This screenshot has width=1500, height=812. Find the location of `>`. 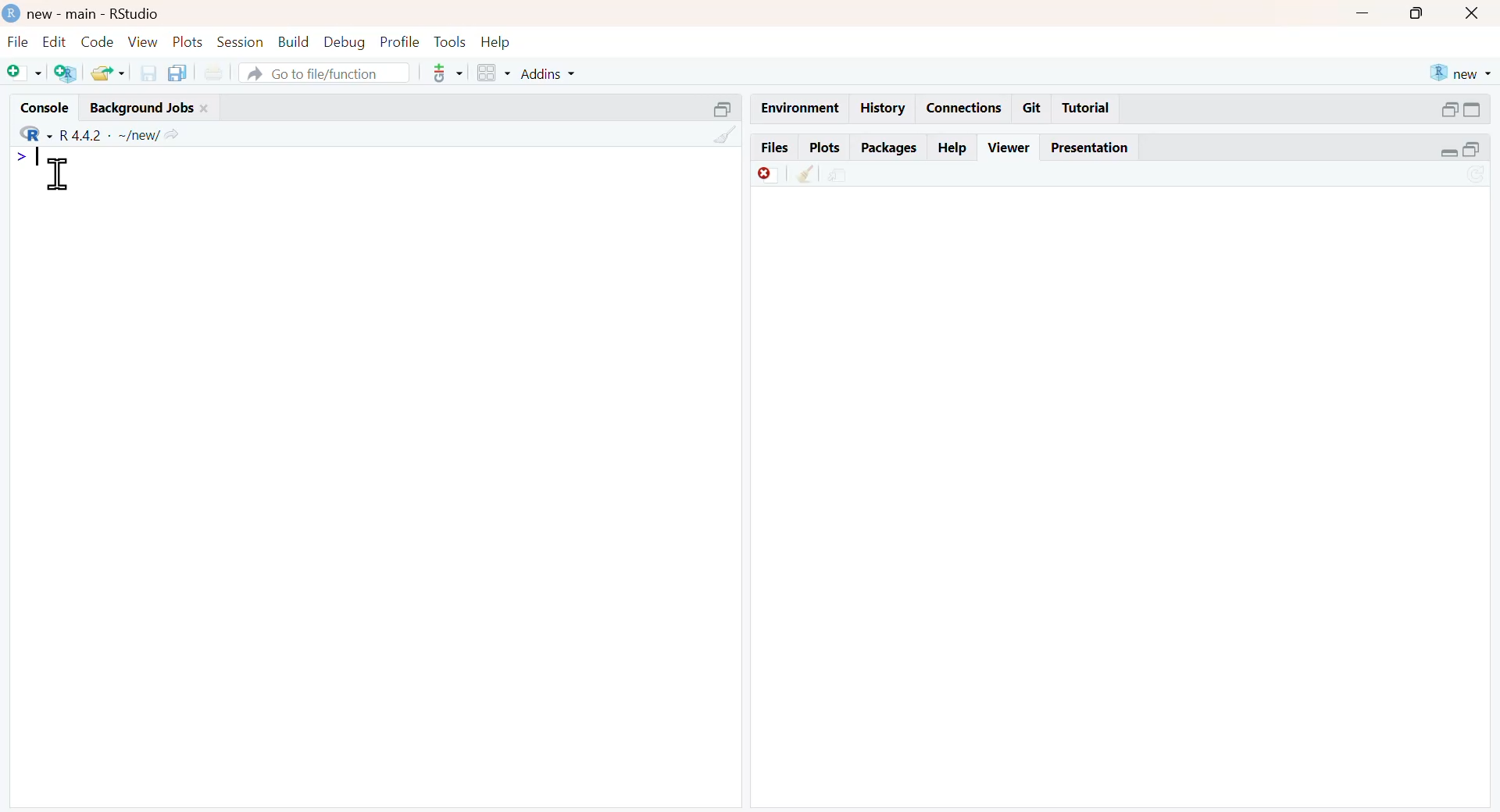

> is located at coordinates (21, 158).